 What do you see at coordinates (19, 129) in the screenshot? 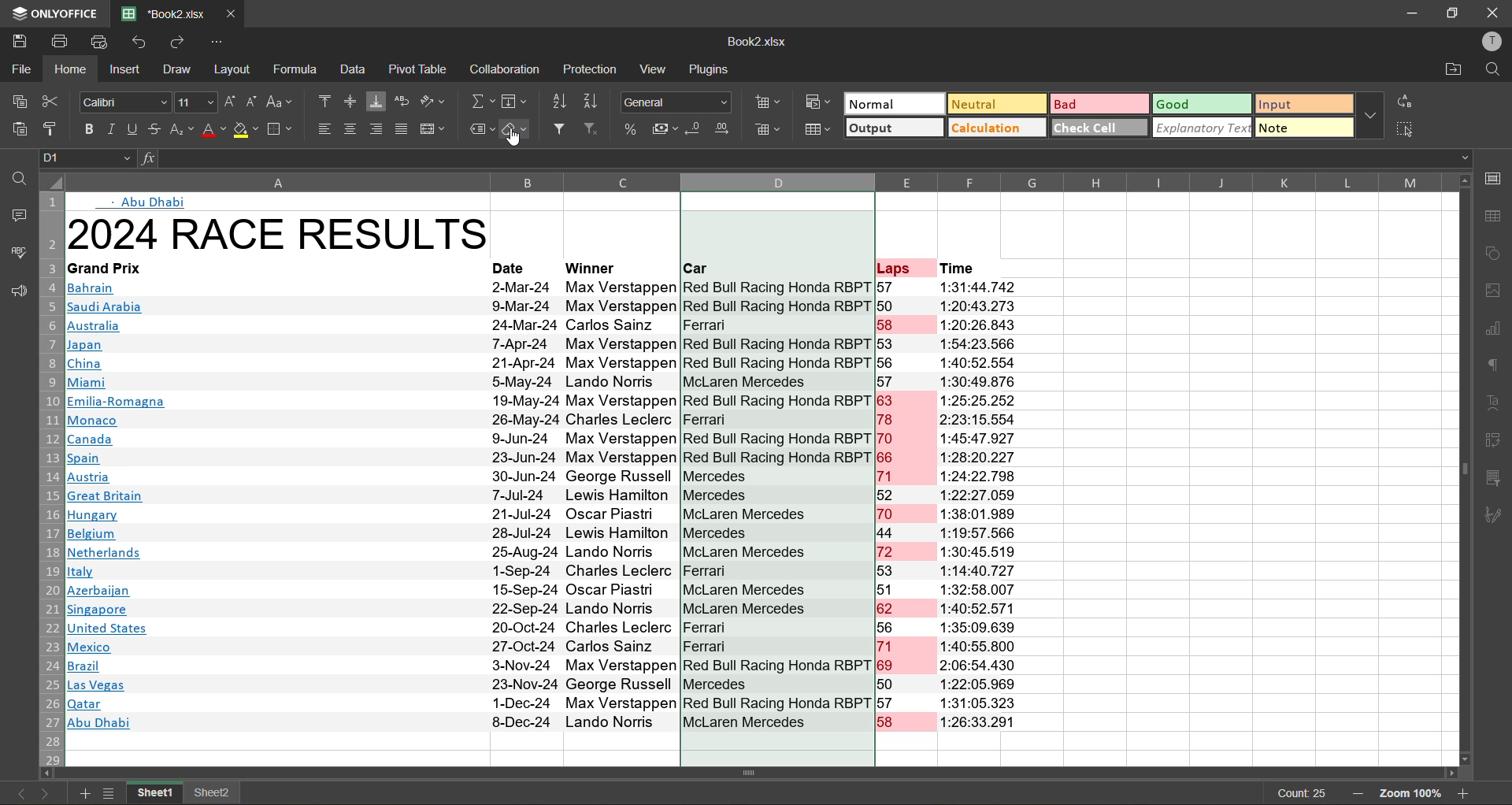
I see `paste` at bounding box center [19, 129].